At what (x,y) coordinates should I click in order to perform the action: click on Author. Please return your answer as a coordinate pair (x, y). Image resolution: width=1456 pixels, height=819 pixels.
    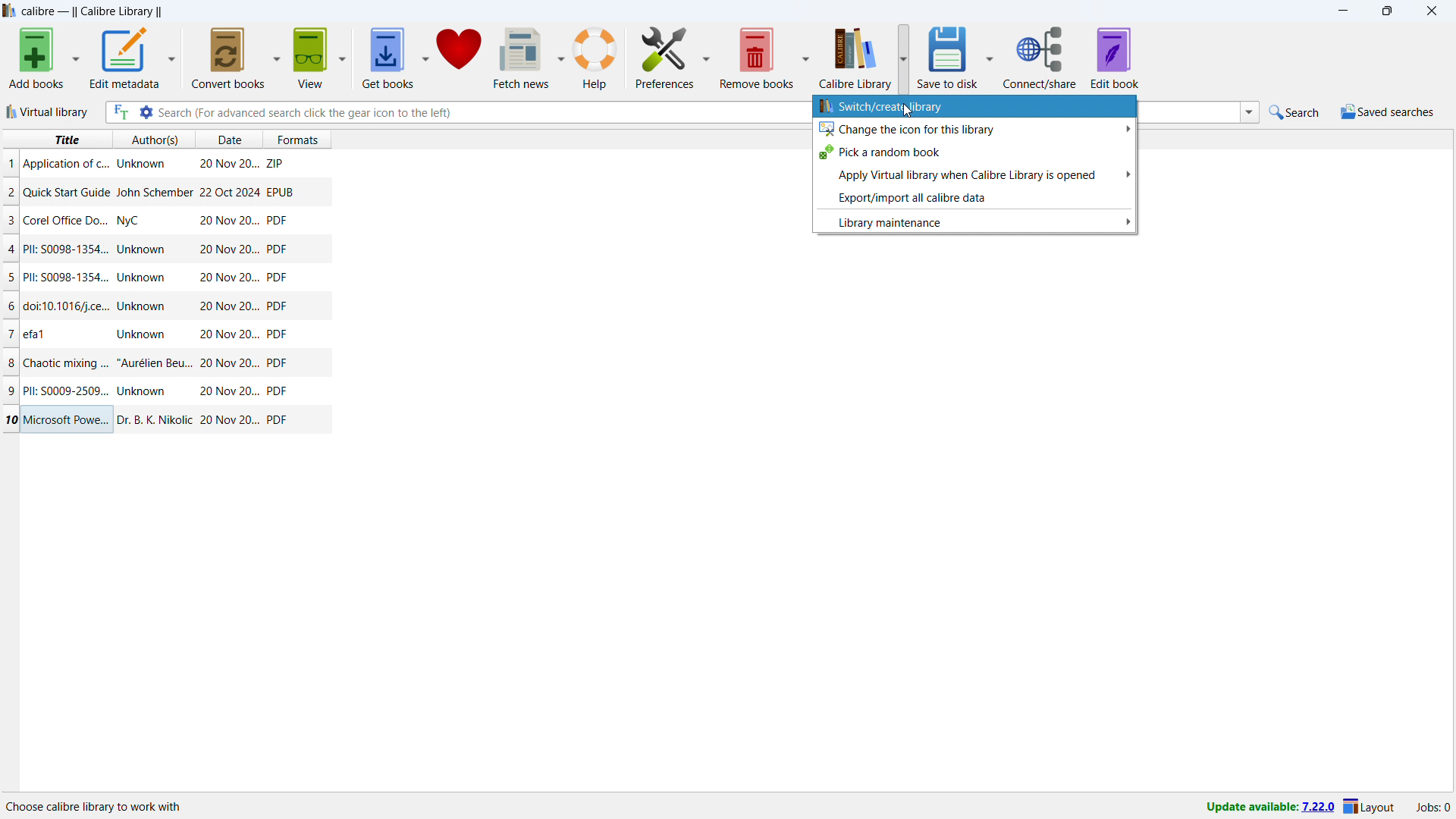
    Looking at the image, I should click on (152, 418).